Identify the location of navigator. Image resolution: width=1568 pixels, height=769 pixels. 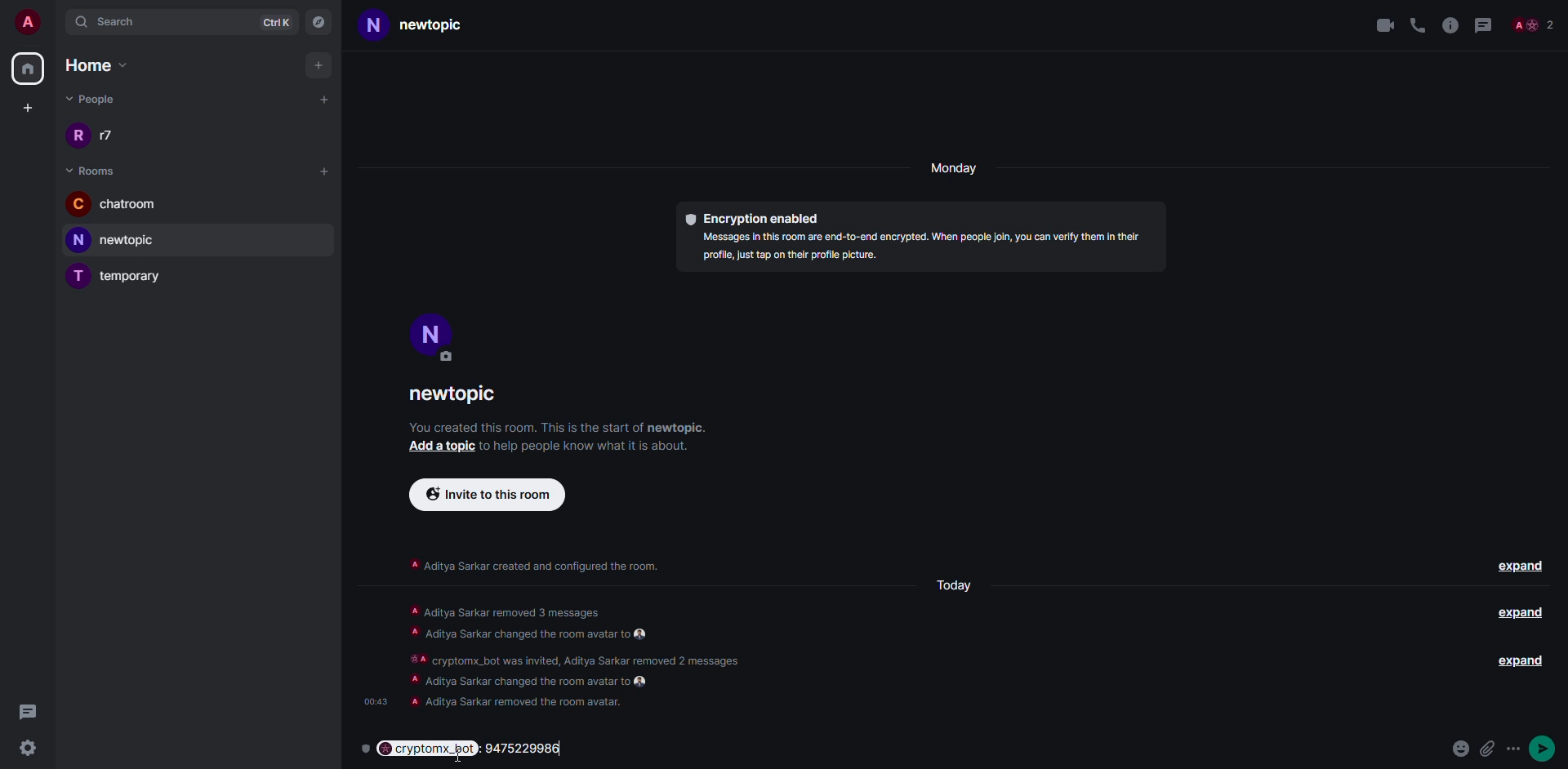
(320, 20).